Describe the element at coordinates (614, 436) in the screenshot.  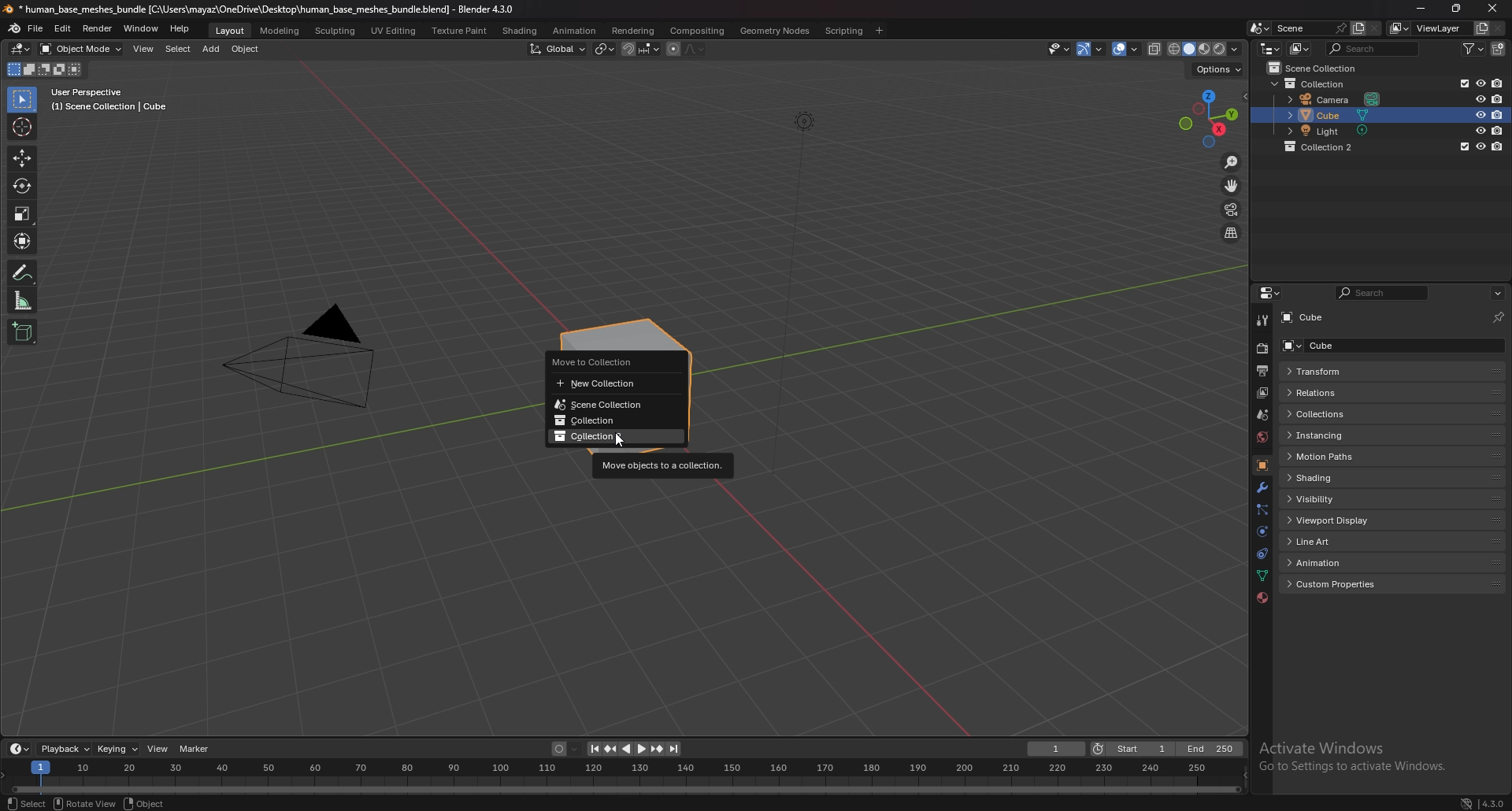
I see `collection` at that location.